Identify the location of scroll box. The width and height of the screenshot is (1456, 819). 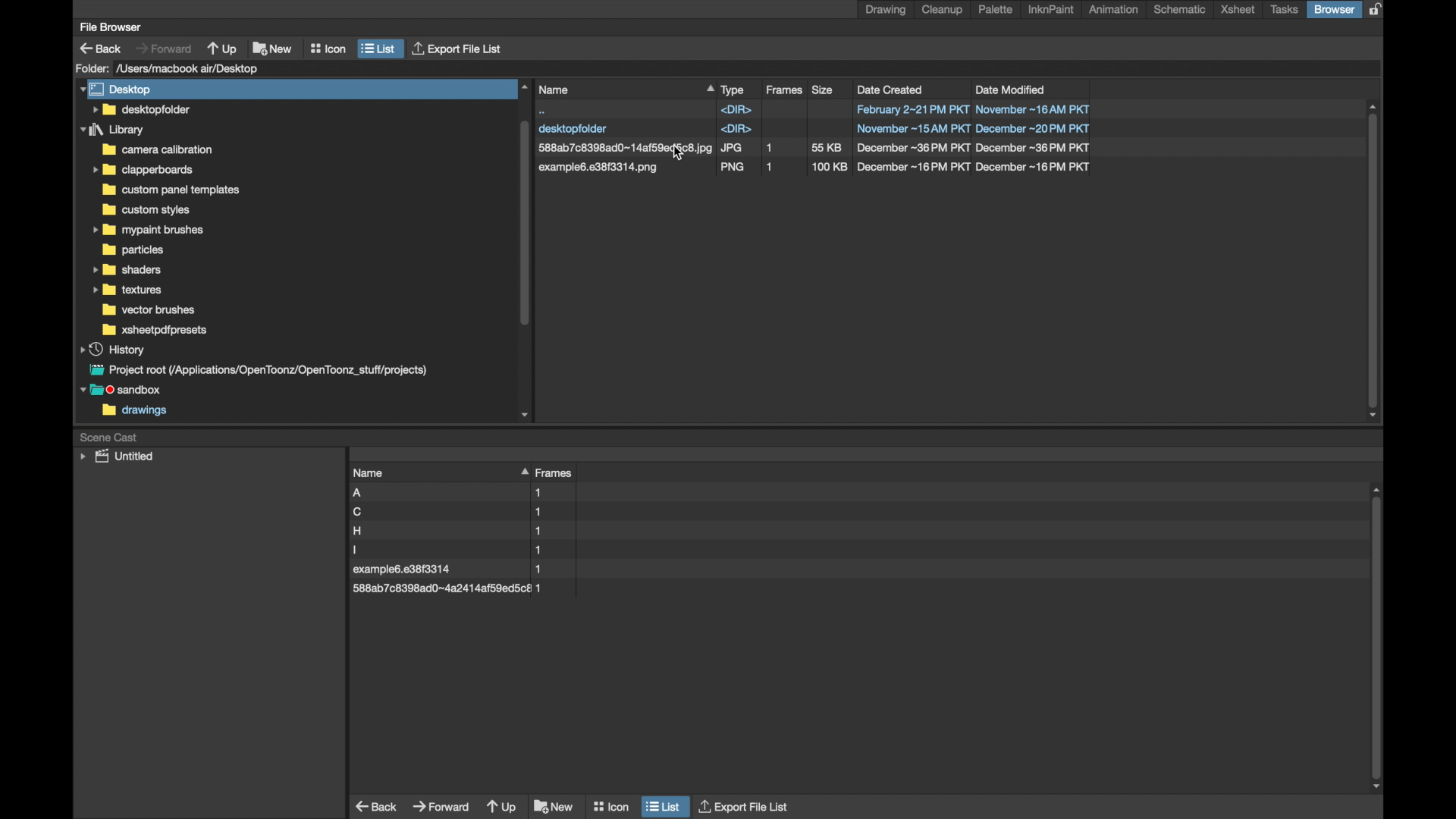
(1379, 639).